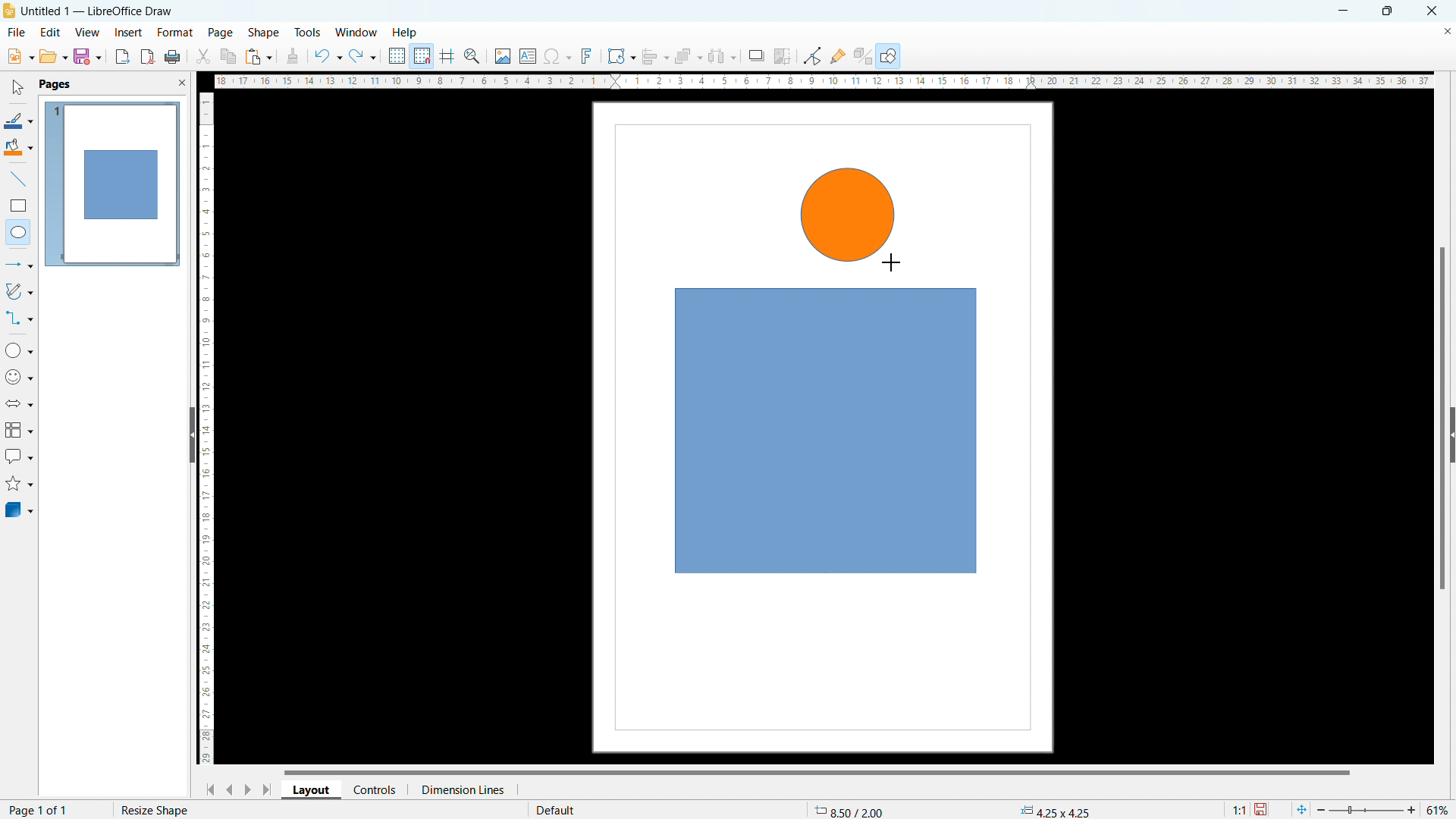 The image size is (1456, 819). What do you see at coordinates (814, 55) in the screenshot?
I see `toggle point edit mode` at bounding box center [814, 55].